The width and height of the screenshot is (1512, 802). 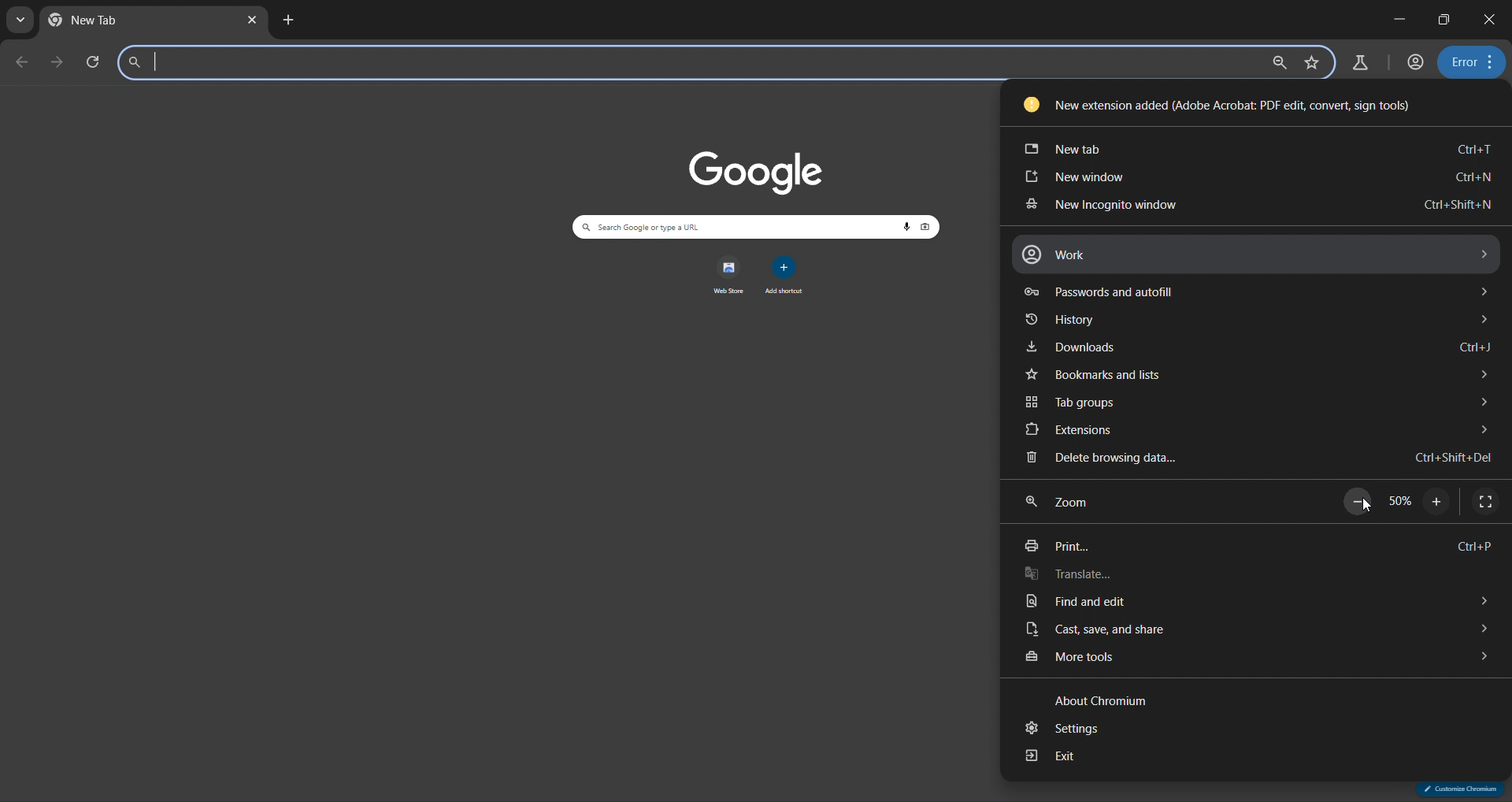 What do you see at coordinates (1071, 728) in the screenshot?
I see `settings` at bounding box center [1071, 728].